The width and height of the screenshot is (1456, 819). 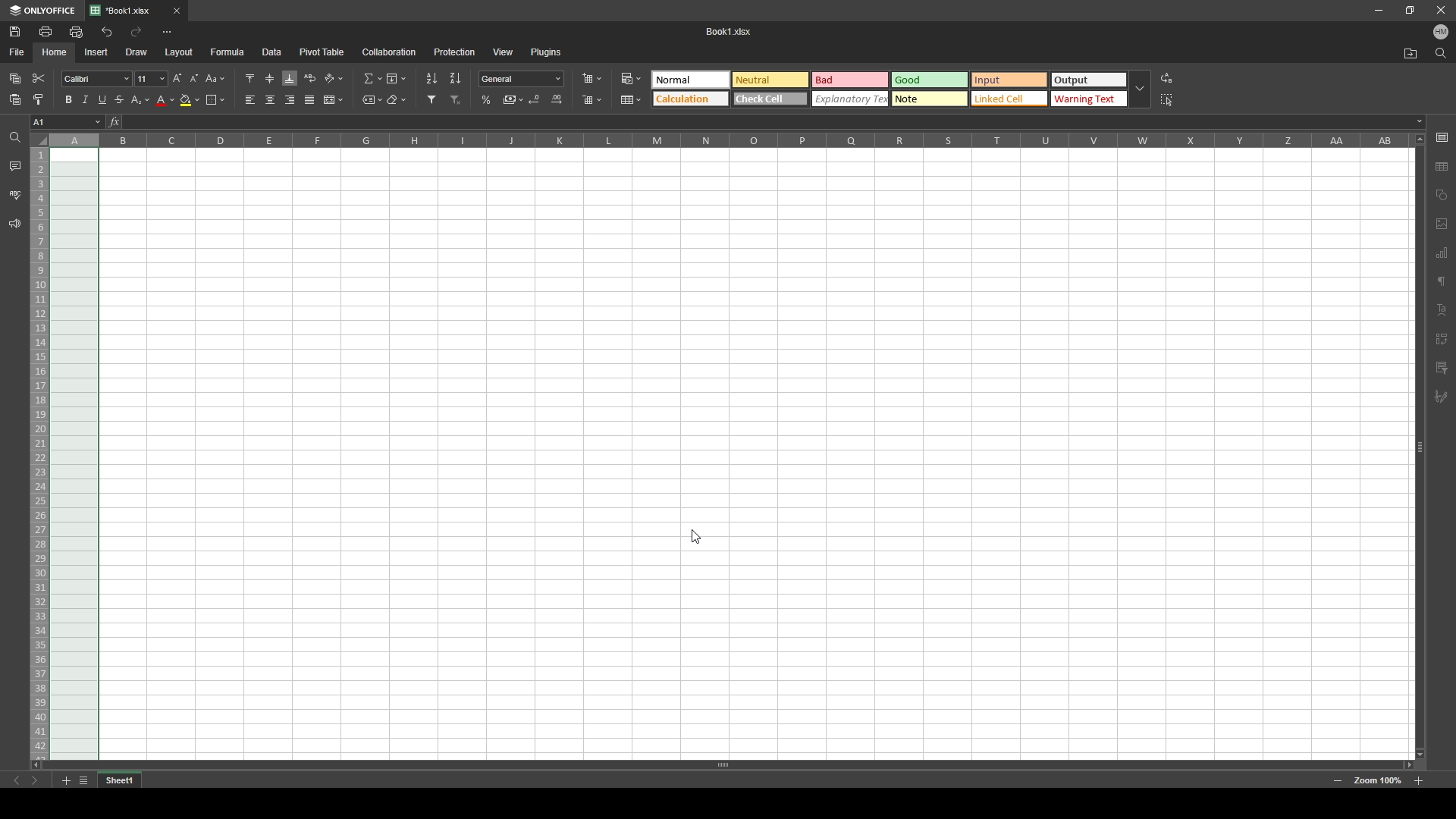 What do you see at coordinates (1378, 781) in the screenshot?
I see `zoom` at bounding box center [1378, 781].